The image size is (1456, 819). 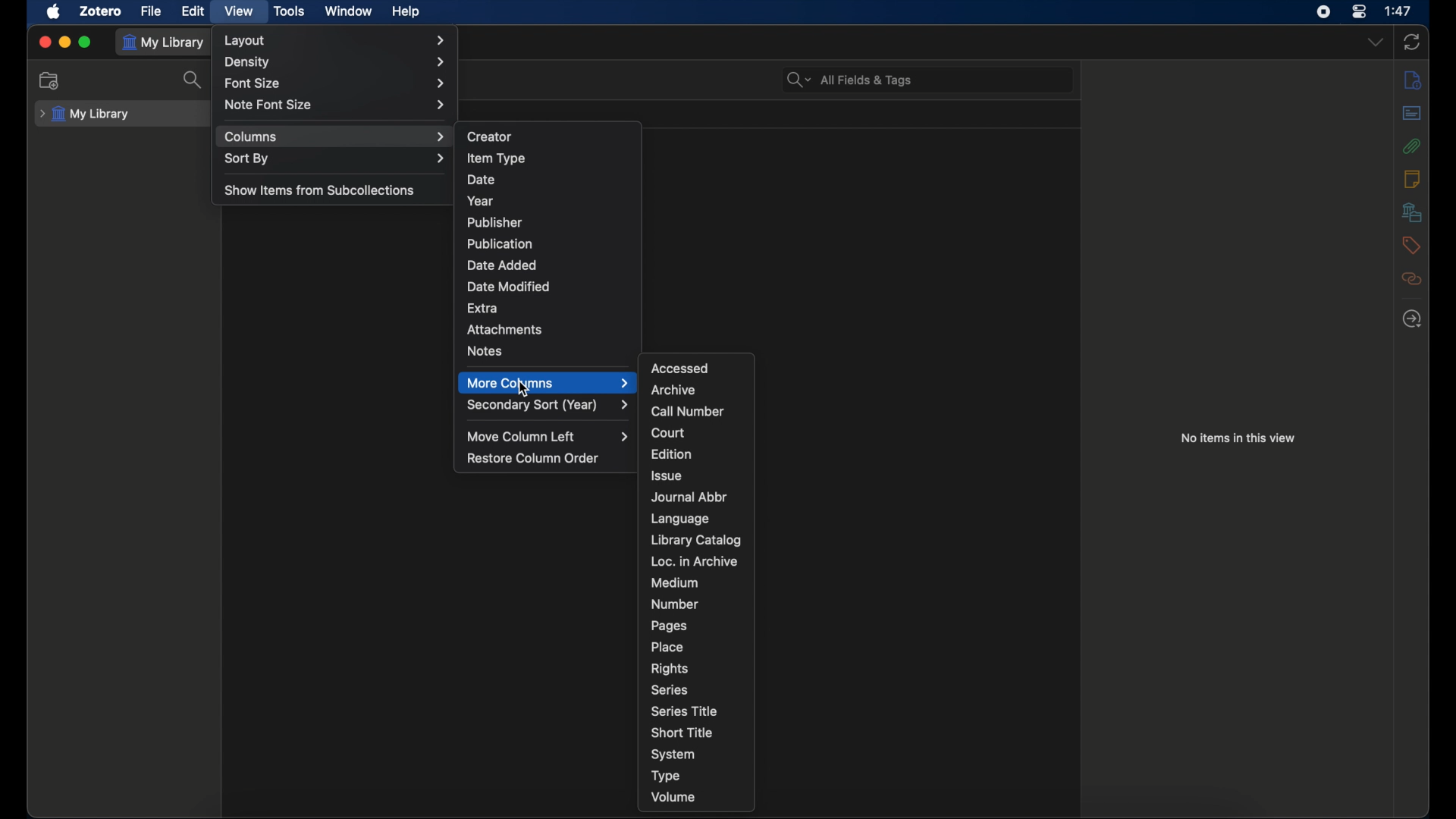 What do you see at coordinates (485, 351) in the screenshot?
I see `notes` at bounding box center [485, 351].